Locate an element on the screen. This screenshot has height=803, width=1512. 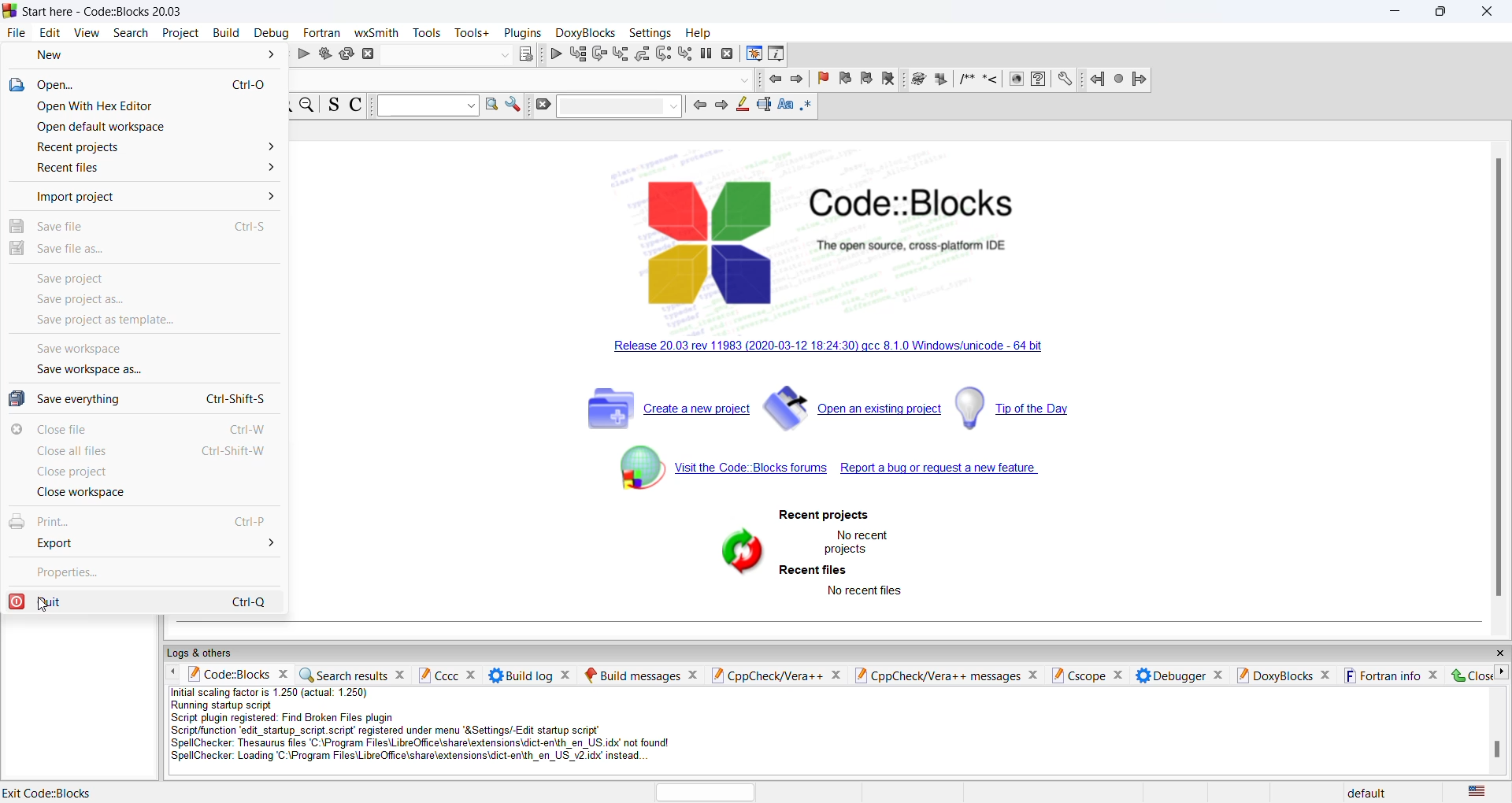
close is located at coordinates (1033, 676).